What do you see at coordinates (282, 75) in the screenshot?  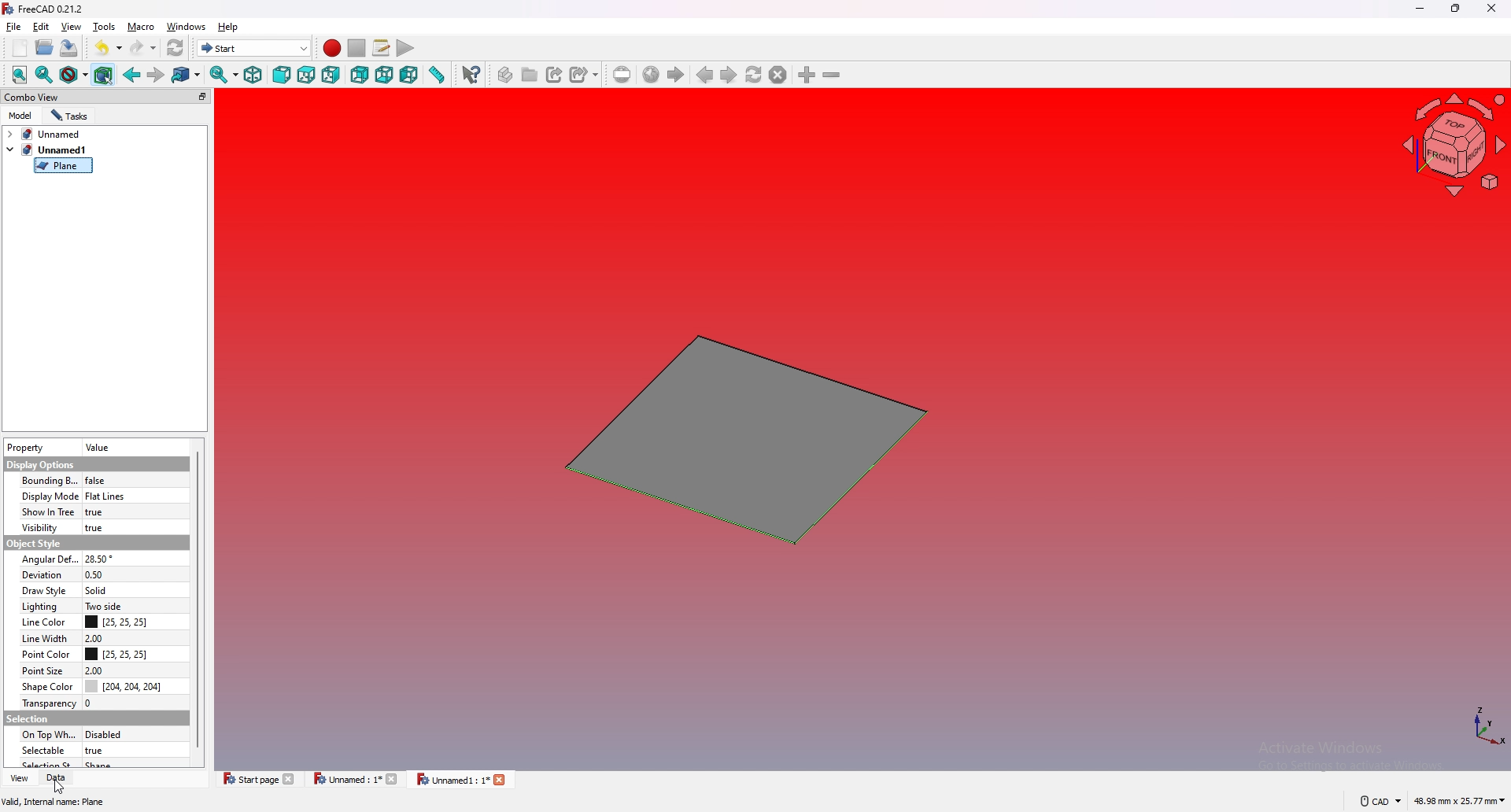 I see `front` at bounding box center [282, 75].